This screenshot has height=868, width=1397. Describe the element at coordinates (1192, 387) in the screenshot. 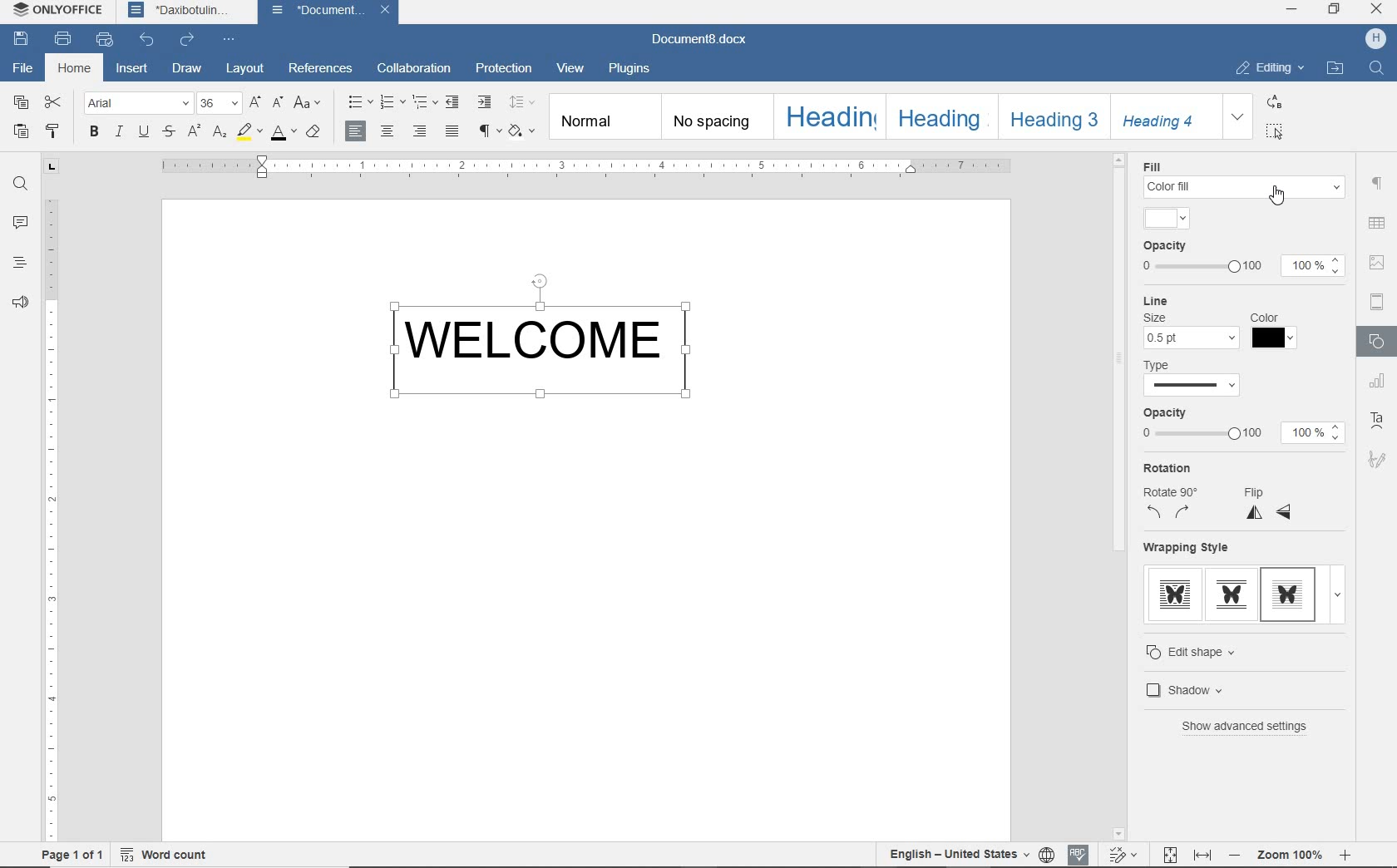

I see `line type` at that location.